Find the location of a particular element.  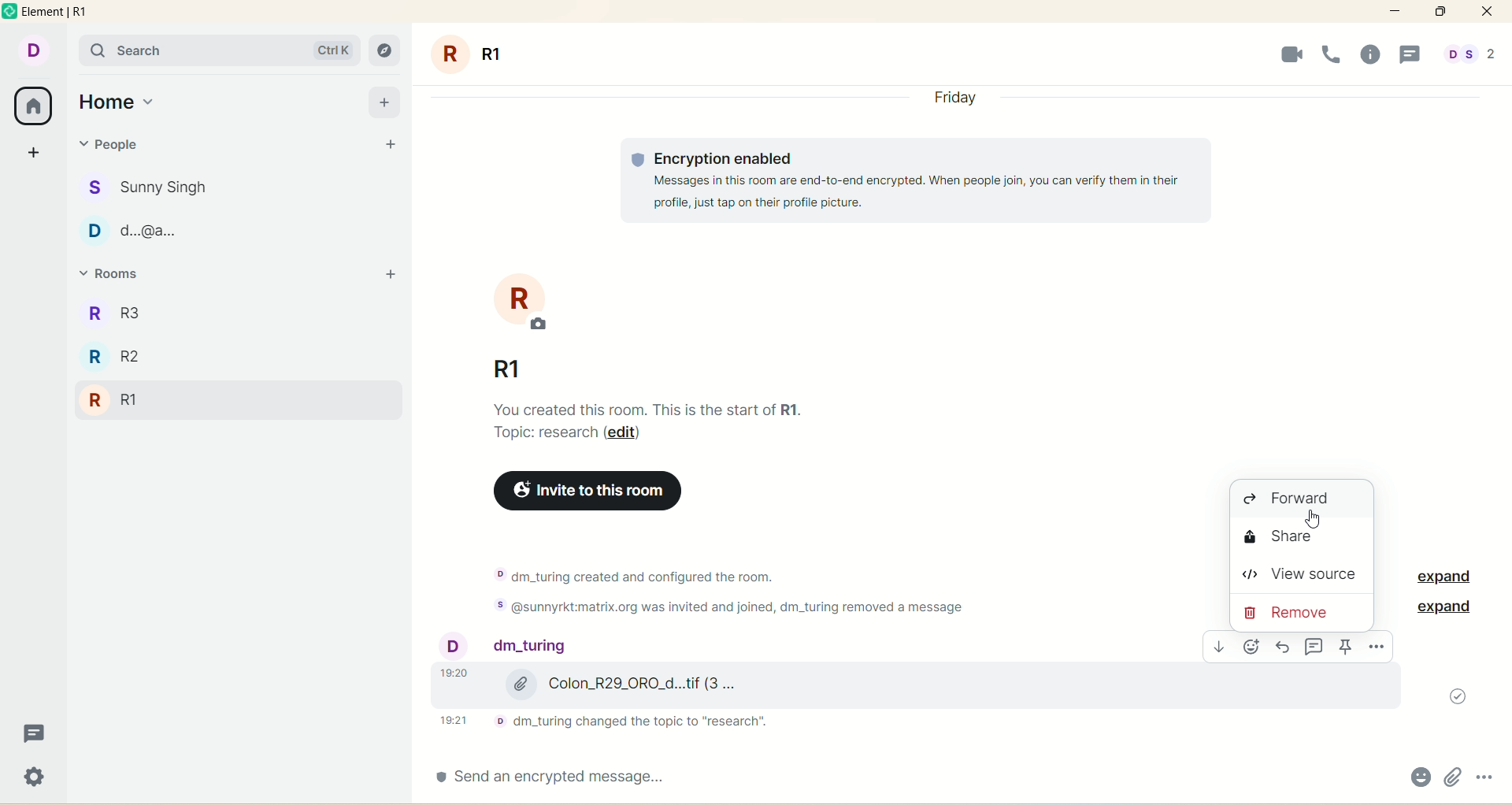

add is located at coordinates (384, 101).